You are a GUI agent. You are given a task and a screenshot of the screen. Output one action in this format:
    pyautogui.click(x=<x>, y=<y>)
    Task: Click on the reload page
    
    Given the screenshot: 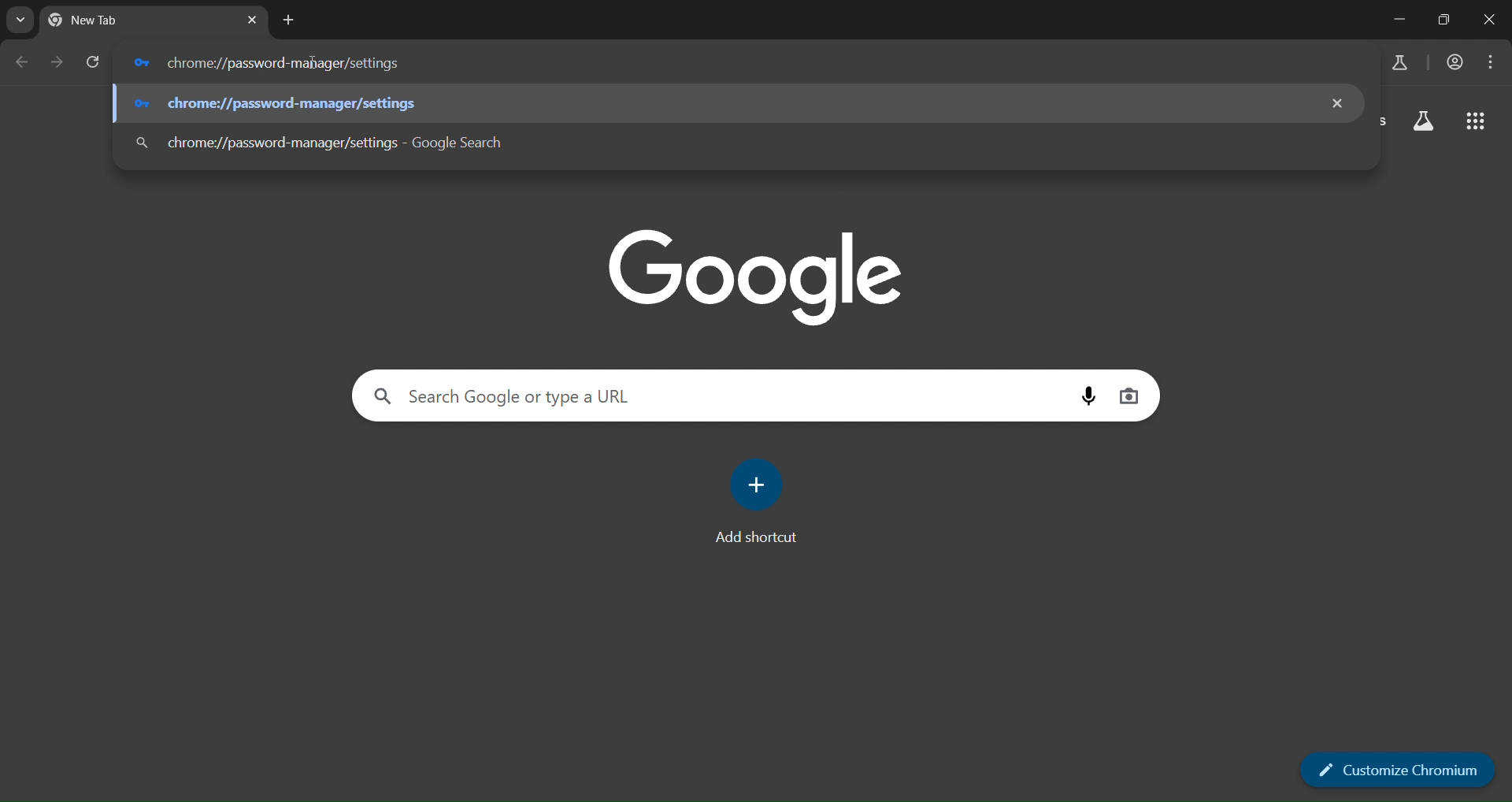 What is the action you would take?
    pyautogui.click(x=95, y=64)
    